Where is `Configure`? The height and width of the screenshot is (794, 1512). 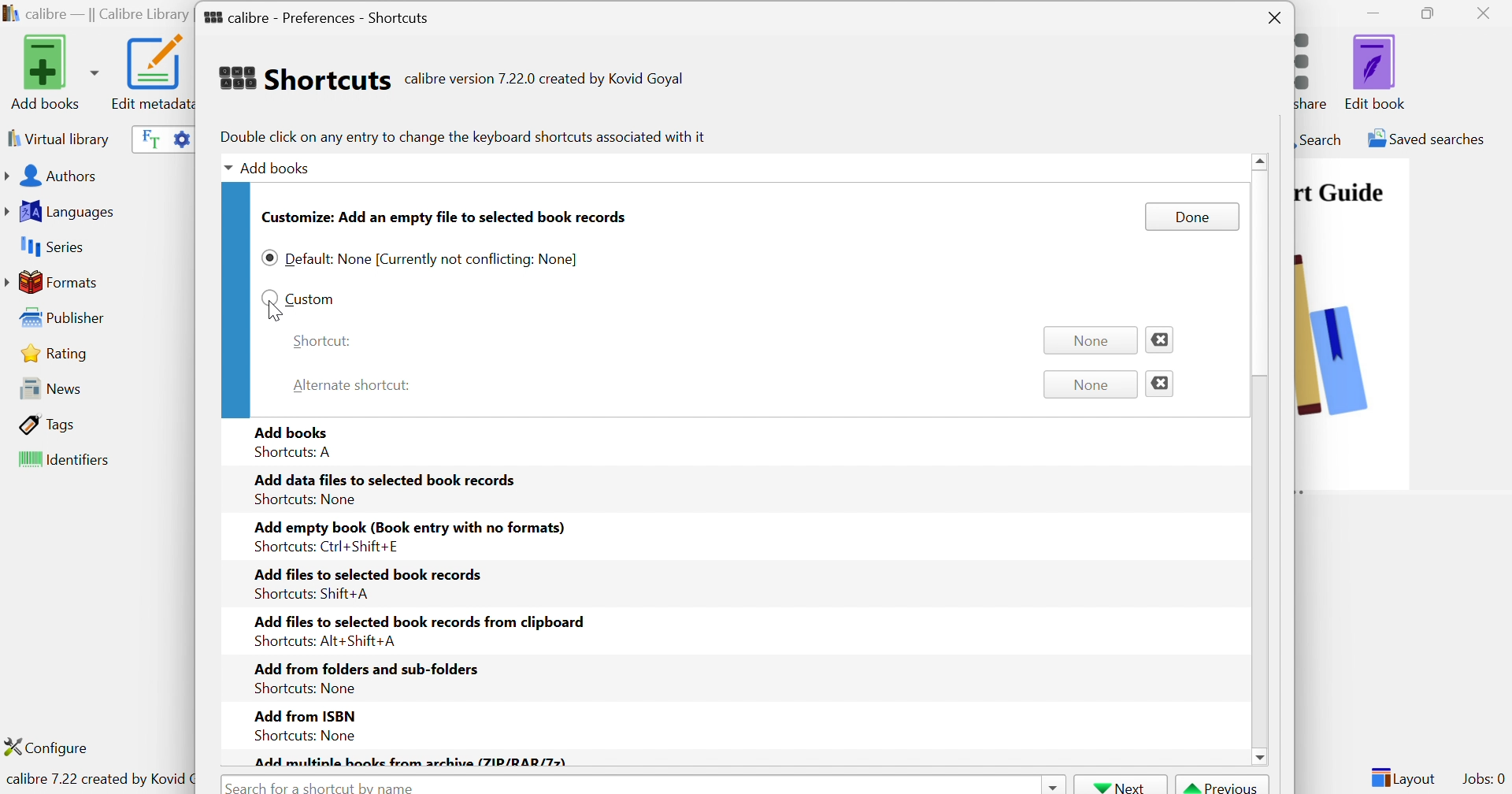 Configure is located at coordinates (53, 747).